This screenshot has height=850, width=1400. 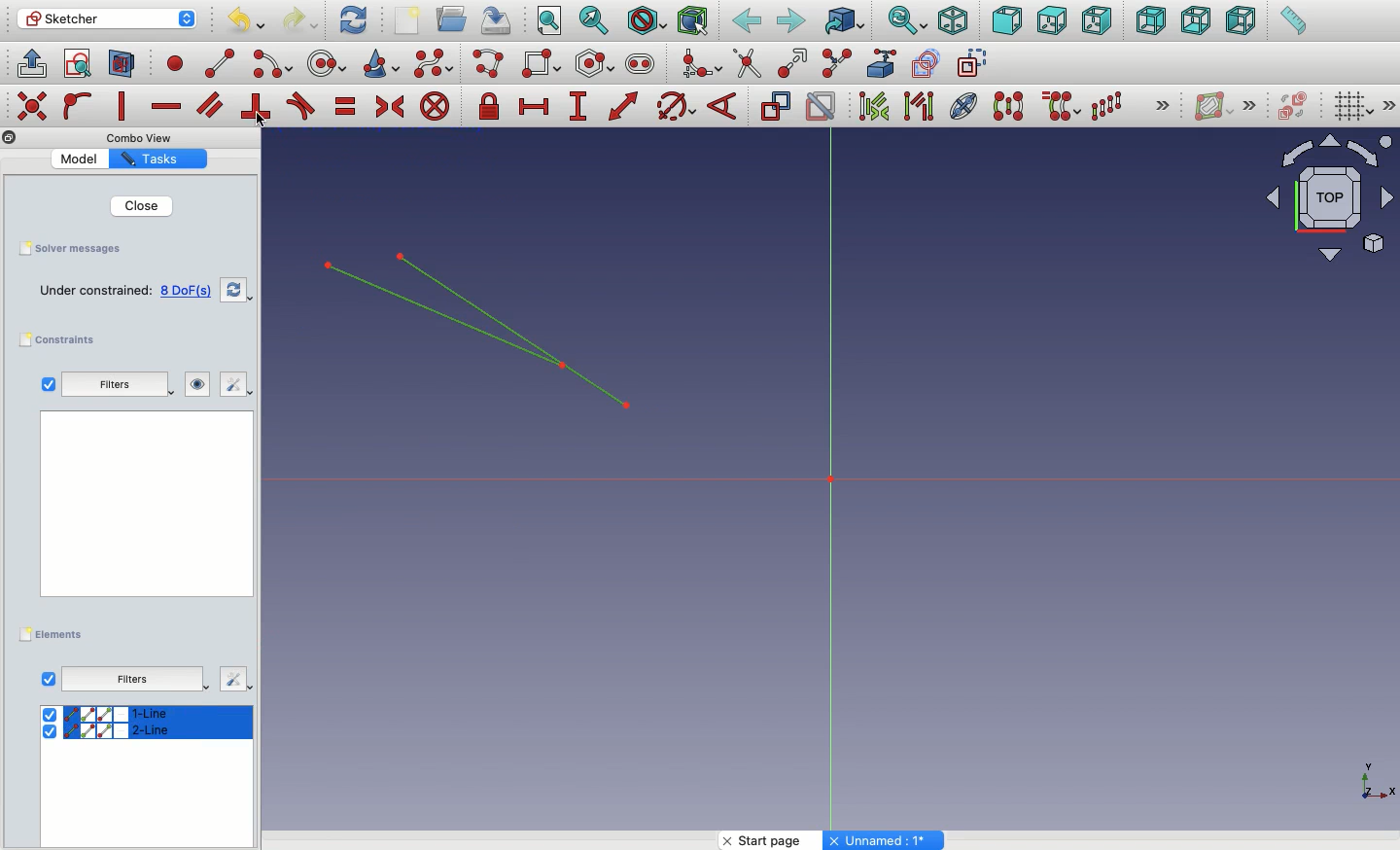 I want to click on line, so click(x=221, y=64).